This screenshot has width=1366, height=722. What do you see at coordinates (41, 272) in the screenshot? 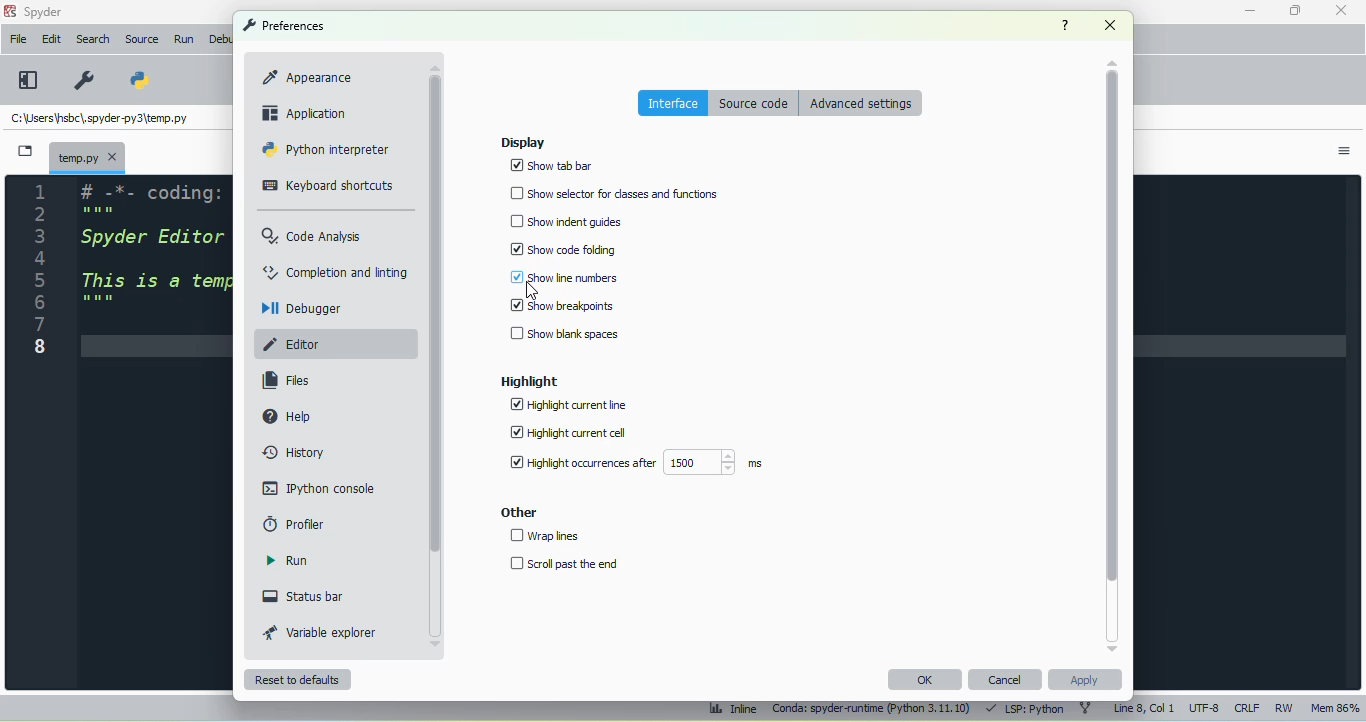
I see `line numbers` at bounding box center [41, 272].